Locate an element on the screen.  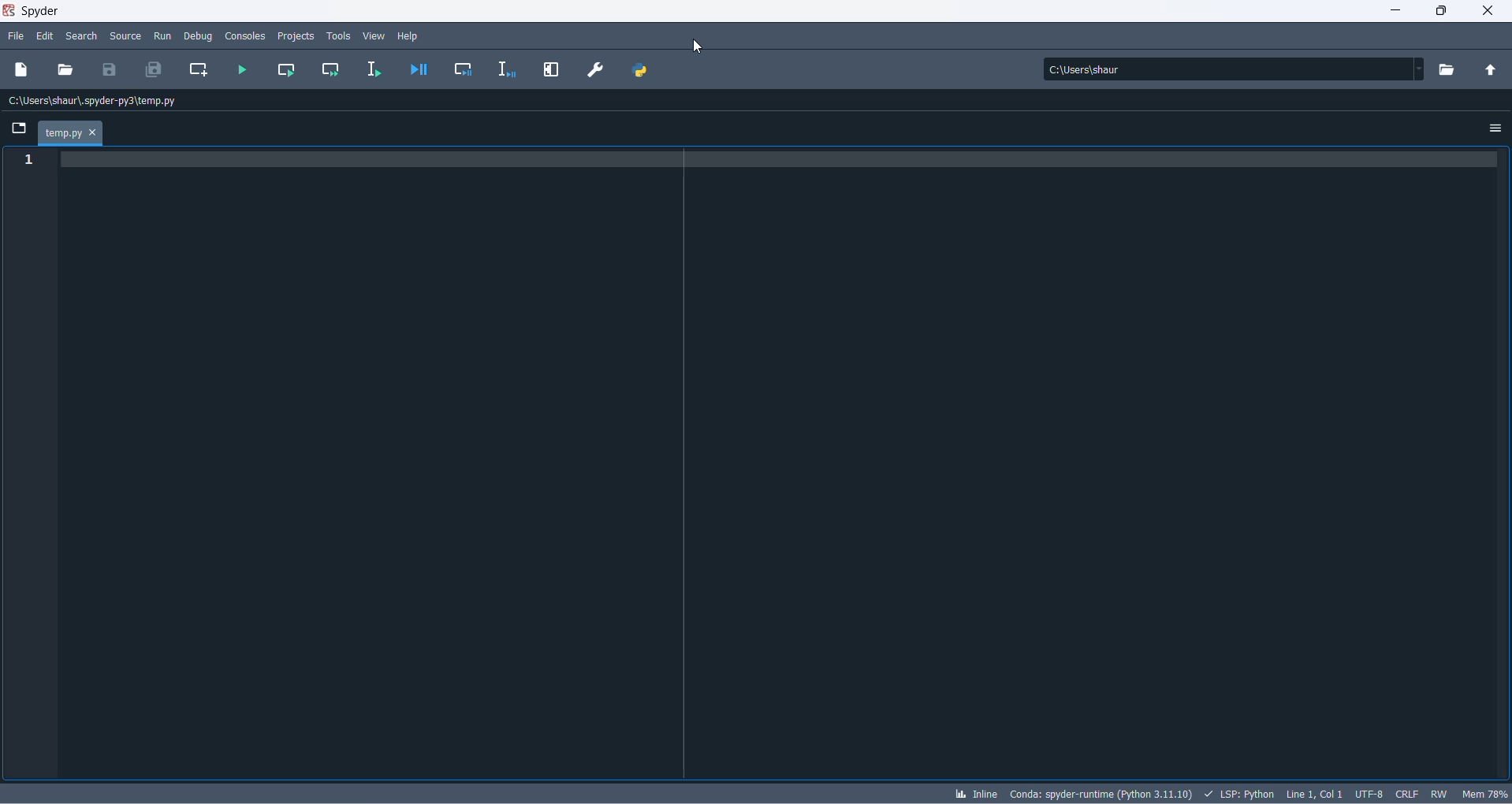
charset is located at coordinates (1369, 792).